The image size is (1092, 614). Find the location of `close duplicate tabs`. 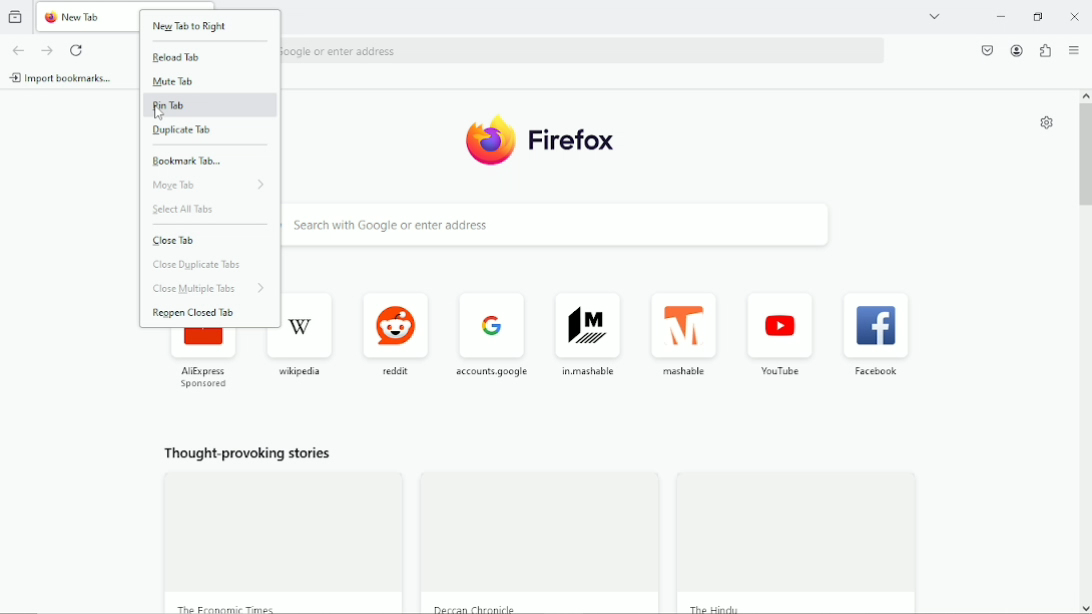

close duplicate tabs is located at coordinates (205, 265).